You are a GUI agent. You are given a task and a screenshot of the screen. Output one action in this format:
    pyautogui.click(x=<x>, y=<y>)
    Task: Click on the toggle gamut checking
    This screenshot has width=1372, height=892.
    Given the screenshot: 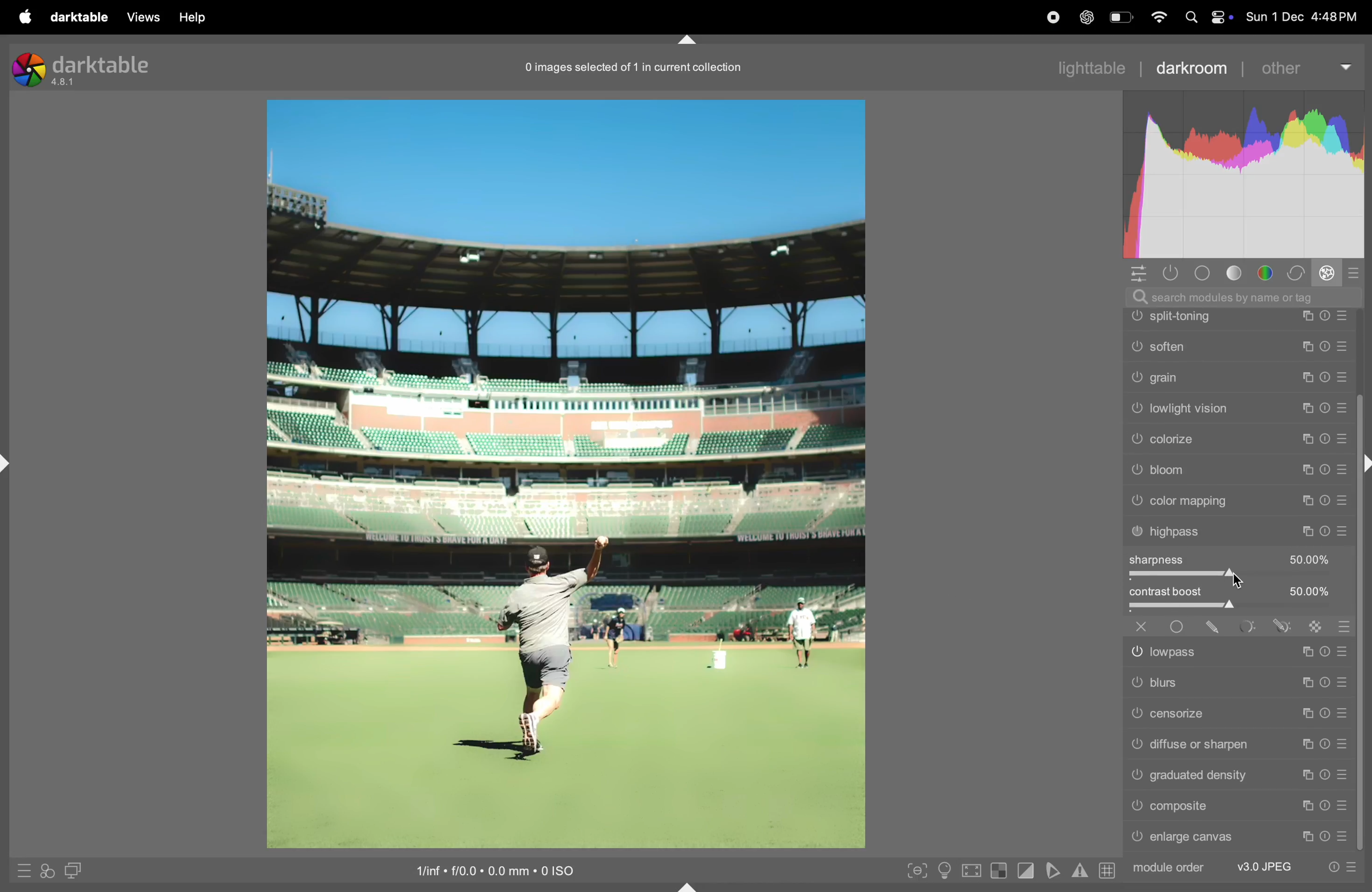 What is the action you would take?
    pyautogui.click(x=1080, y=869)
    